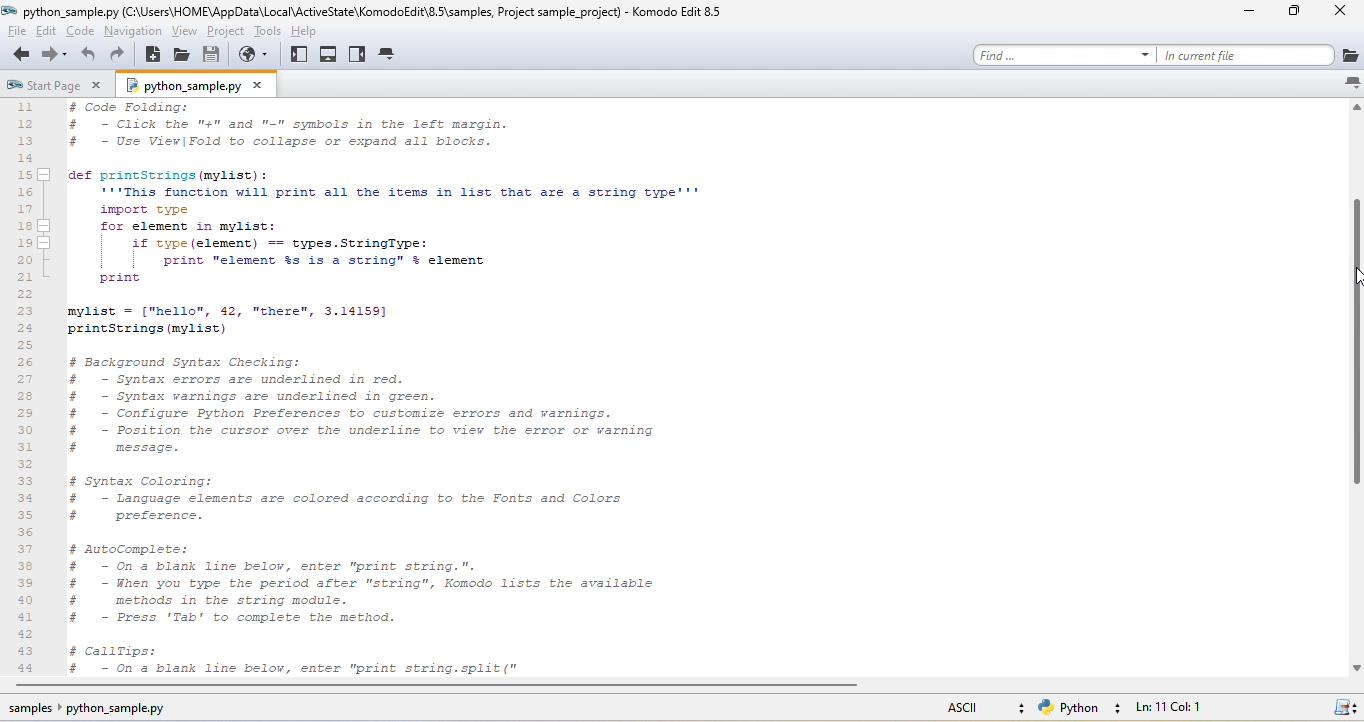 The height and width of the screenshot is (722, 1364). What do you see at coordinates (226, 31) in the screenshot?
I see `project` at bounding box center [226, 31].